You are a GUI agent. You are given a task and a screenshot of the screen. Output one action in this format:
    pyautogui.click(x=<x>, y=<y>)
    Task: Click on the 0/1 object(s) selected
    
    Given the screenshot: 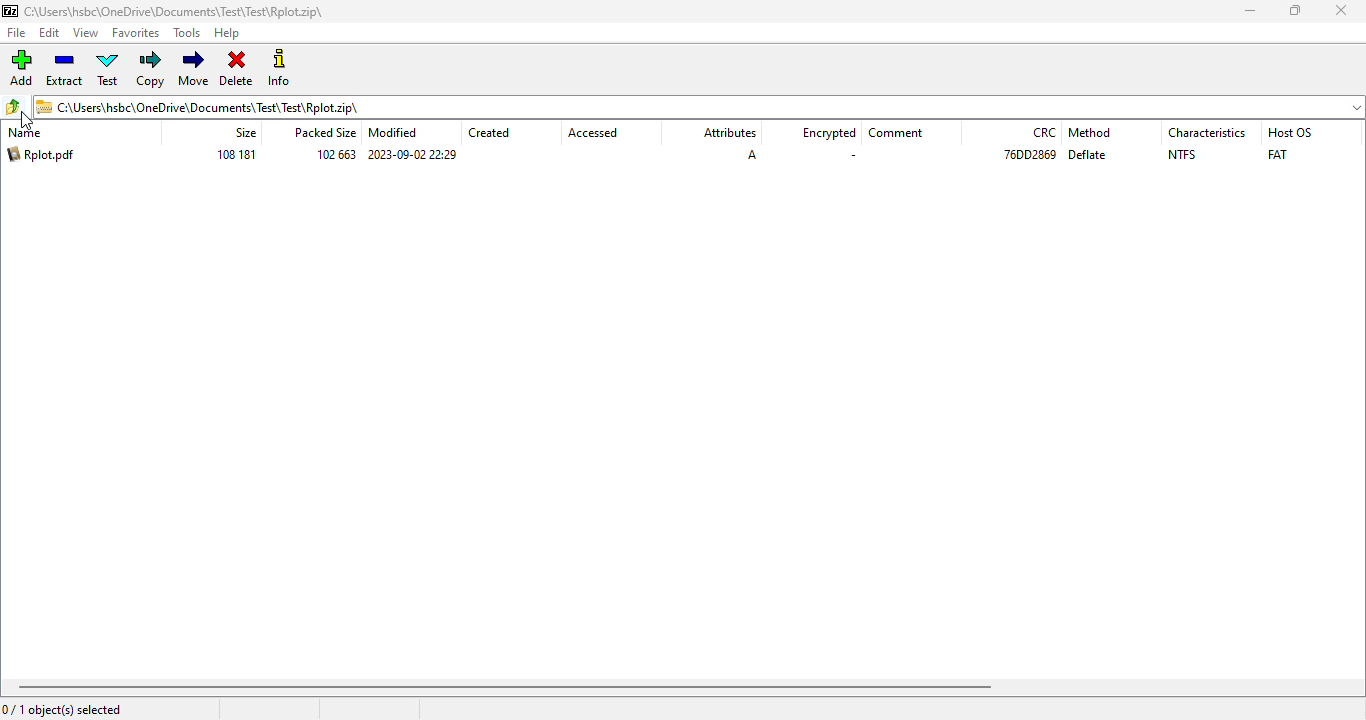 What is the action you would take?
    pyautogui.click(x=64, y=709)
    